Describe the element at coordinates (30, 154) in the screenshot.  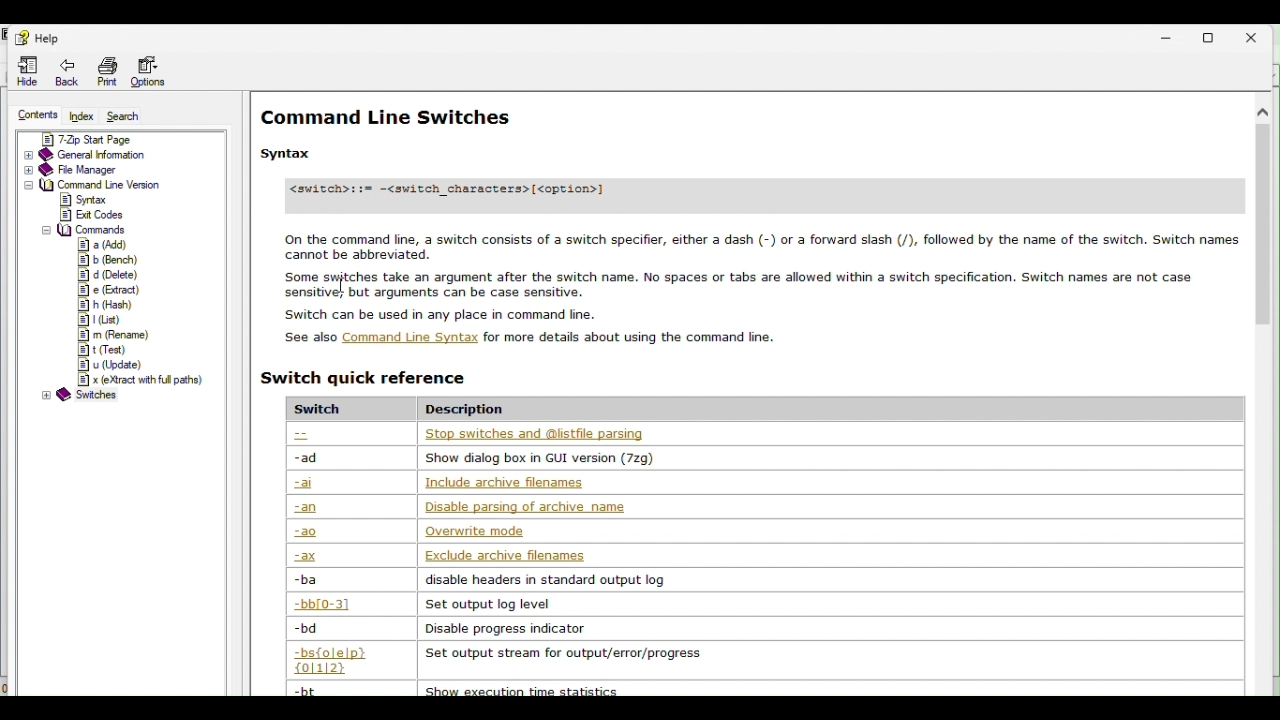
I see `expand` at that location.